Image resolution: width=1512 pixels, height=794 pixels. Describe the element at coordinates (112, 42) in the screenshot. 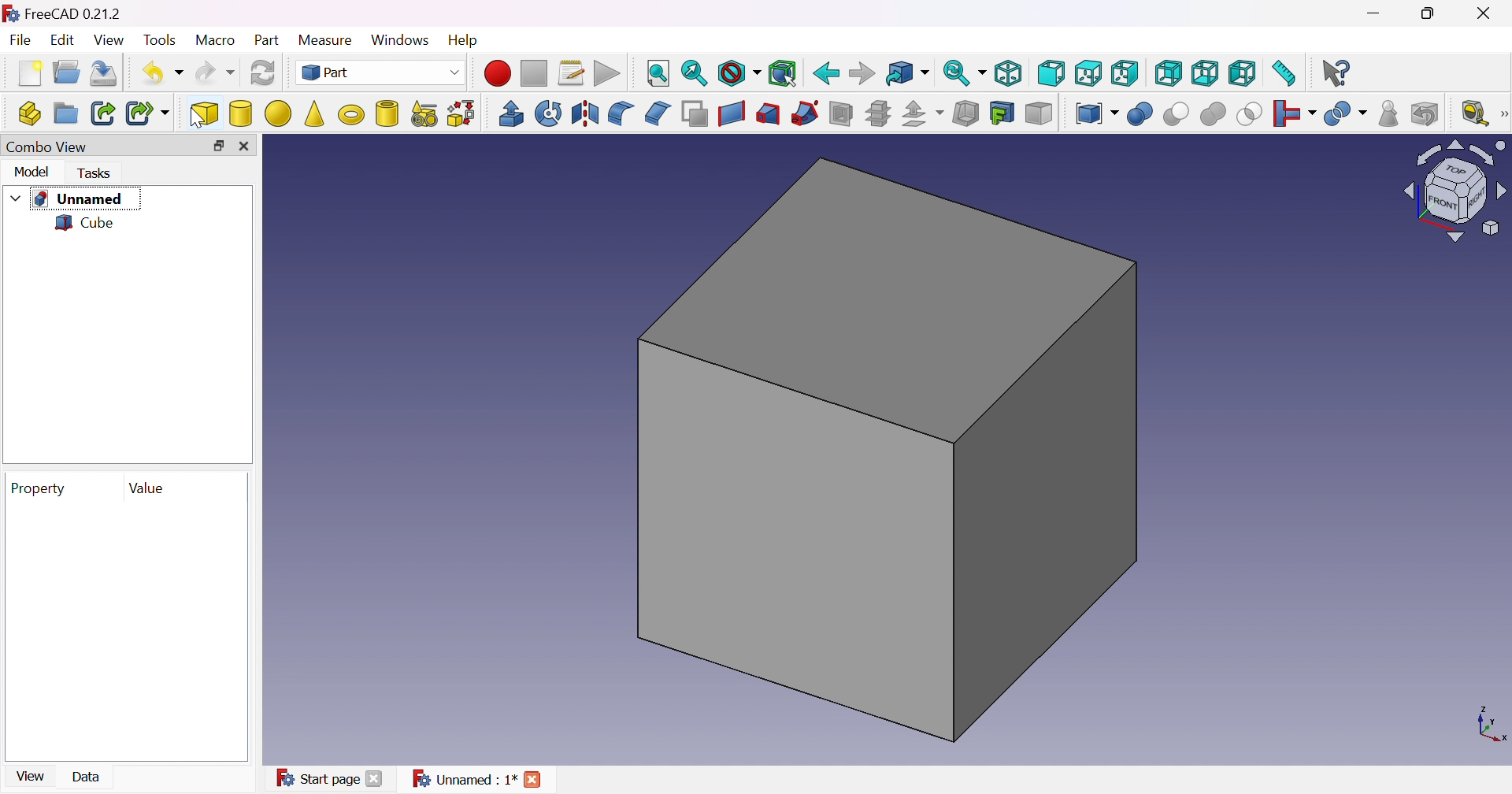

I see `View` at that location.